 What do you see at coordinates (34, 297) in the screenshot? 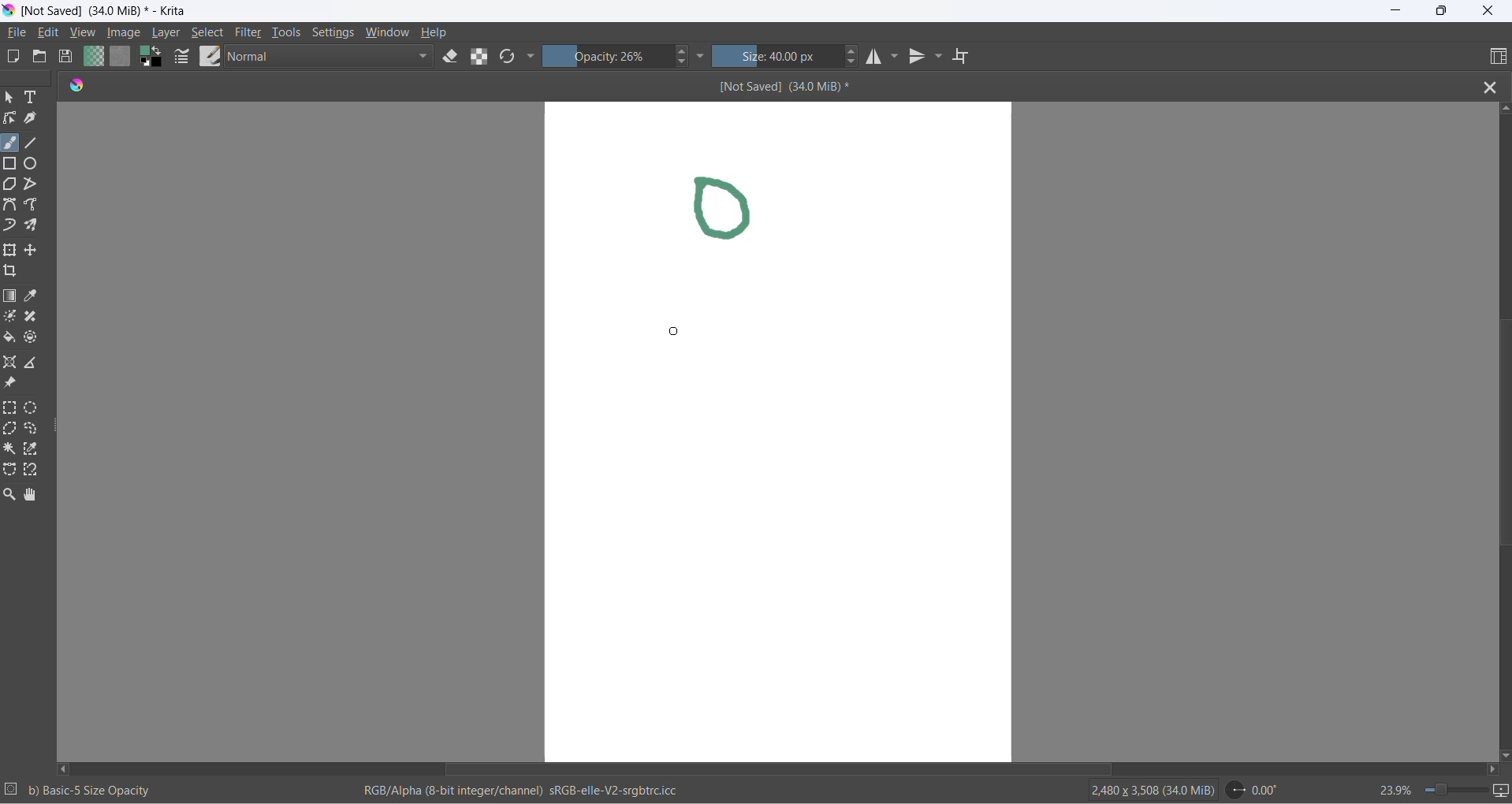
I see `sample a color from image` at bounding box center [34, 297].